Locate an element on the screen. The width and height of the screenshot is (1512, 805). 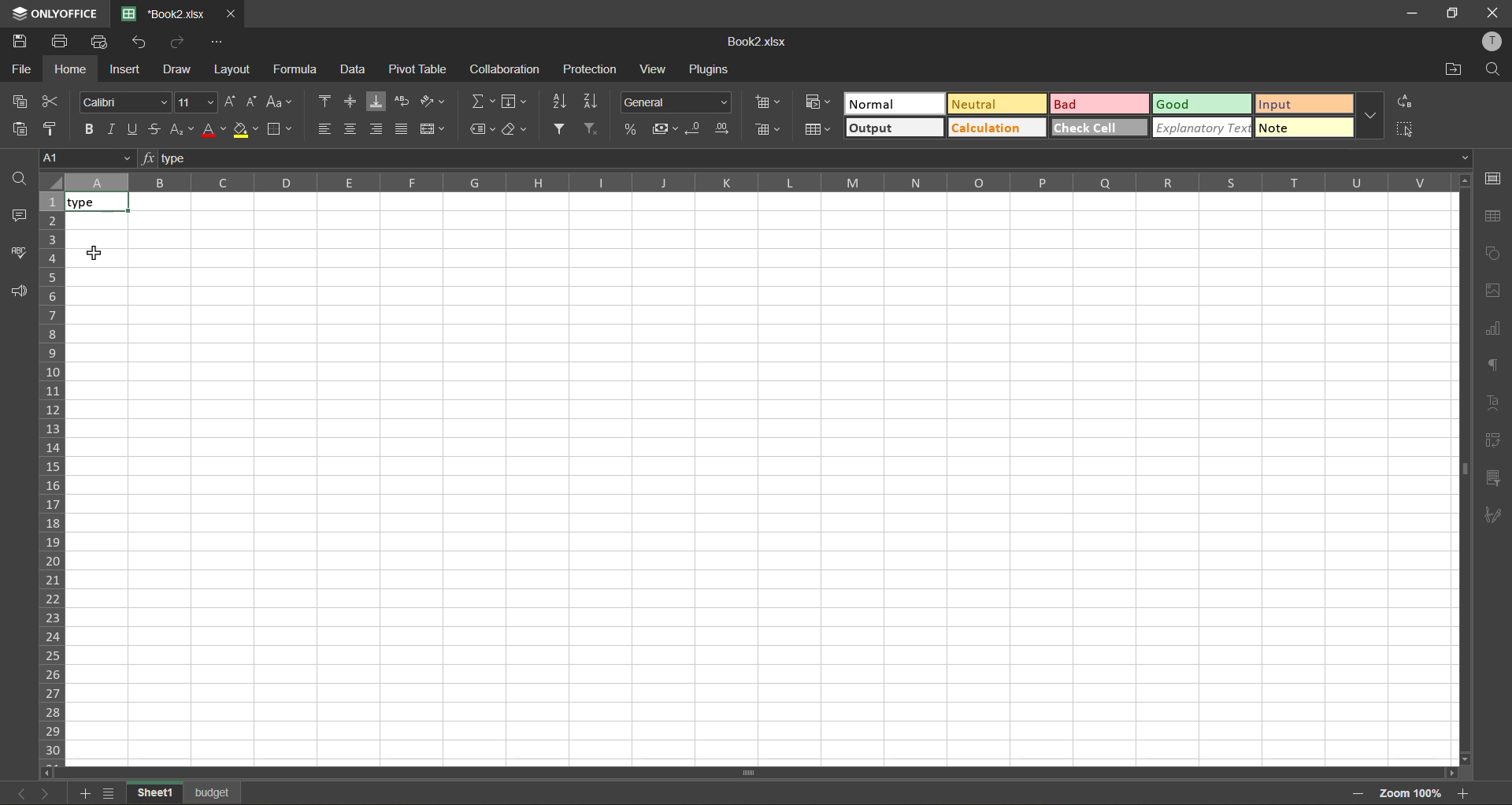
align middle is located at coordinates (354, 102).